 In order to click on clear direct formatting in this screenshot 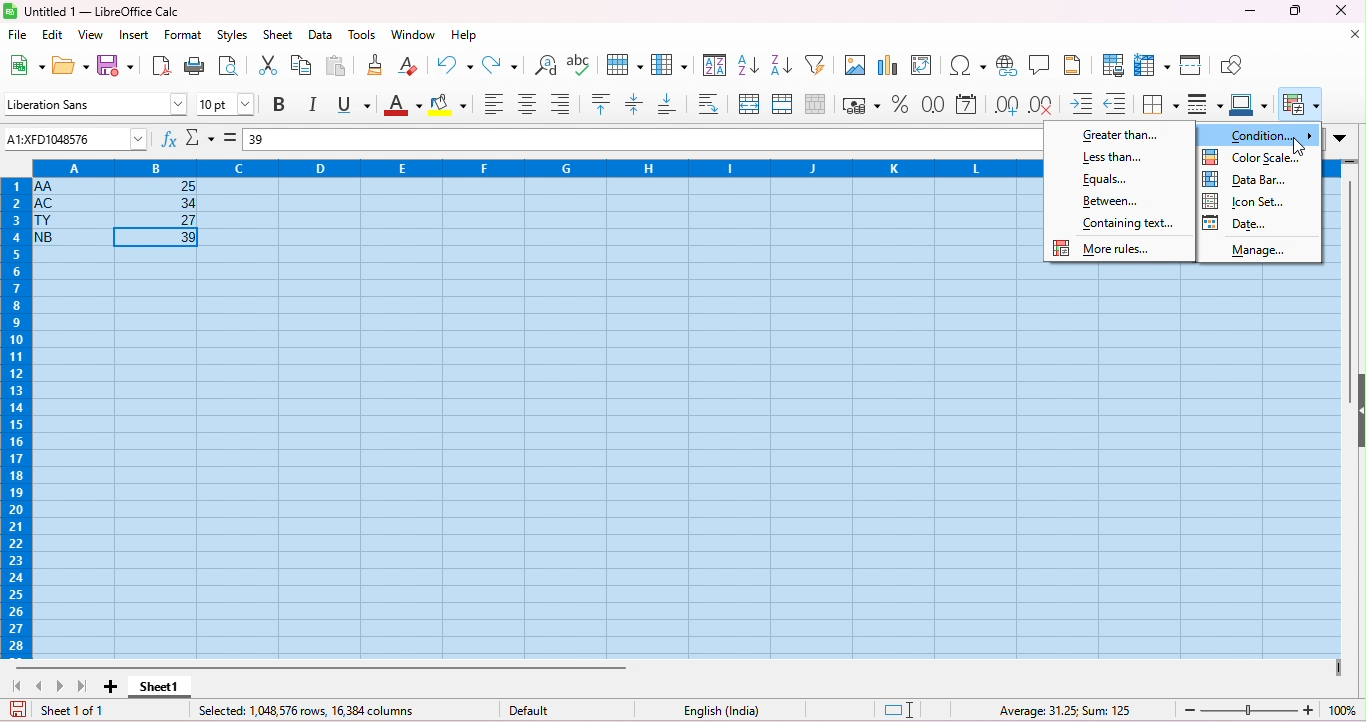, I will do `click(408, 64)`.